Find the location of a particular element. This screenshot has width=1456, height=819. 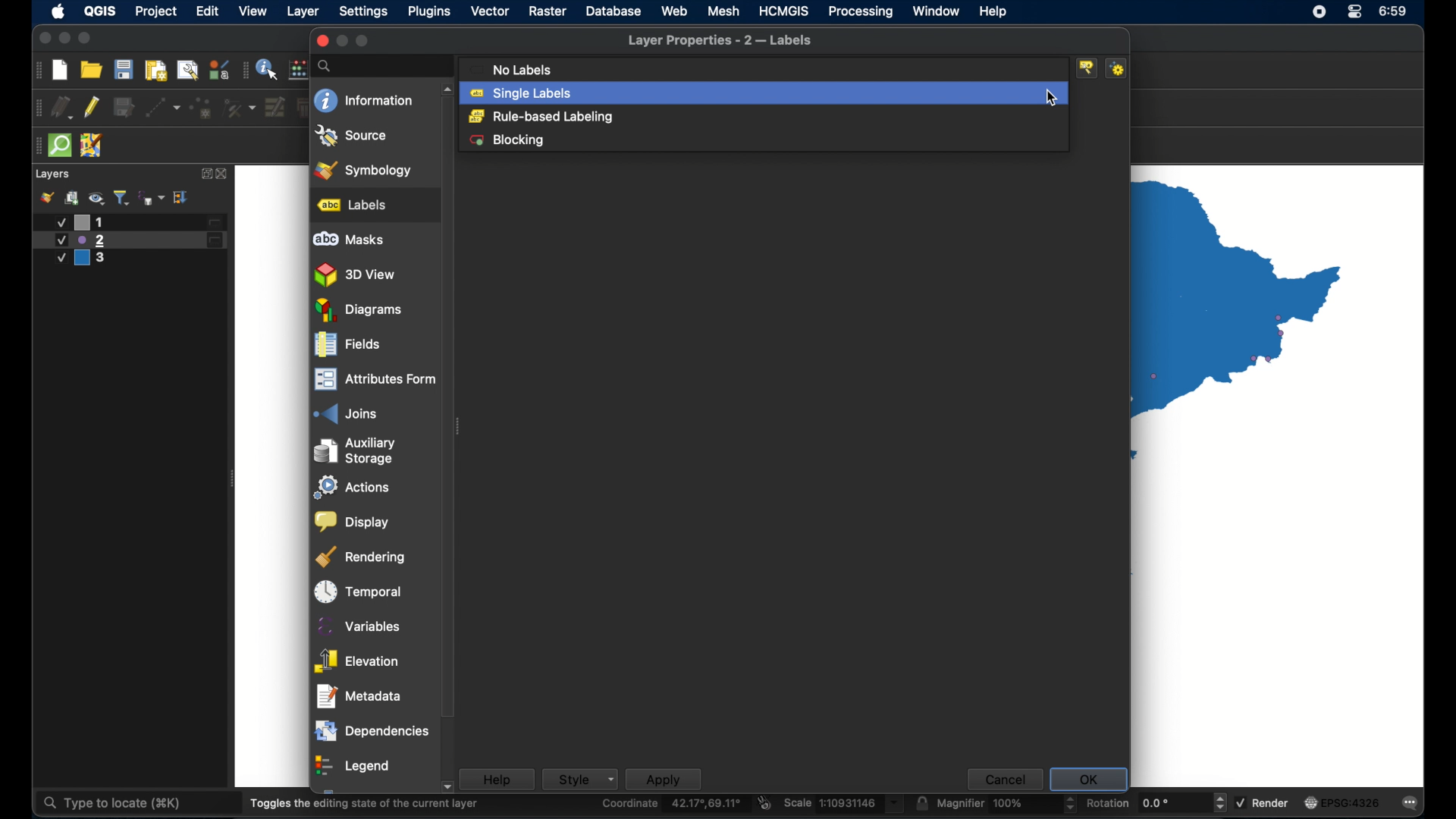

new is located at coordinates (59, 71).